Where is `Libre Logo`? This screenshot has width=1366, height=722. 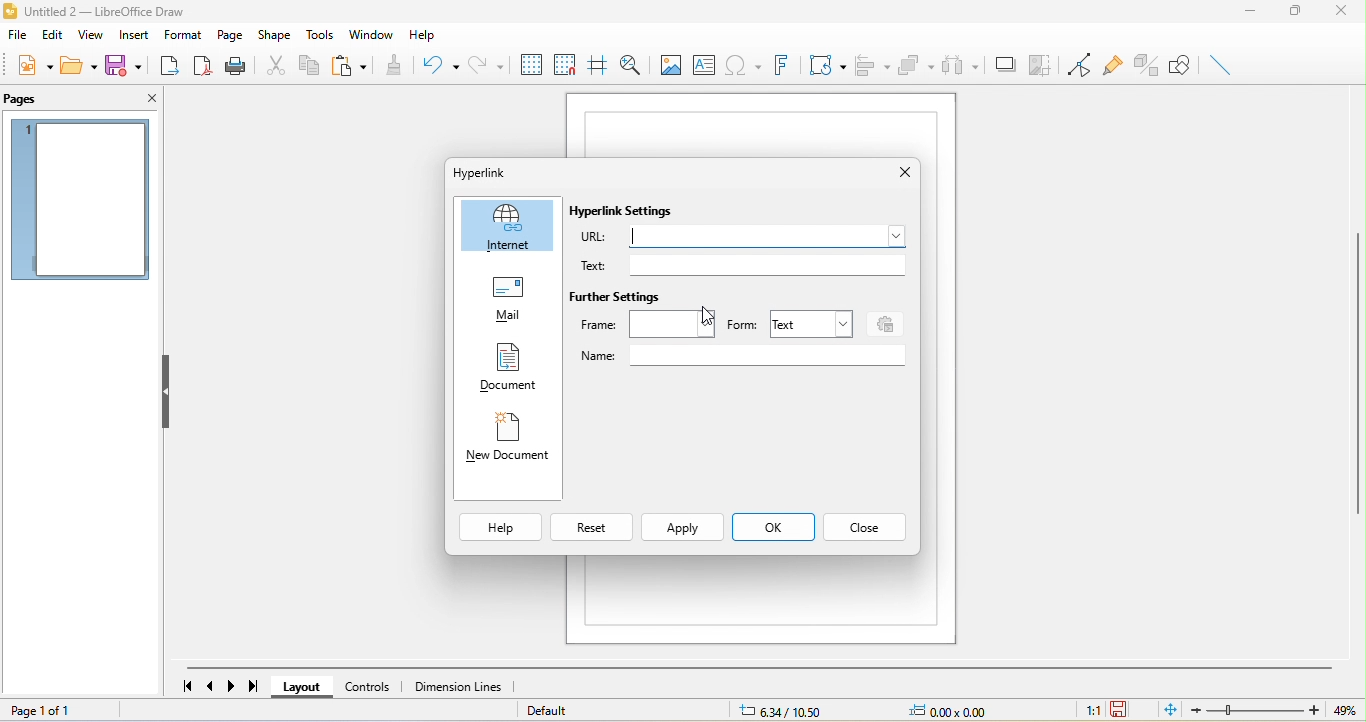
Libre Logo is located at coordinates (9, 13).